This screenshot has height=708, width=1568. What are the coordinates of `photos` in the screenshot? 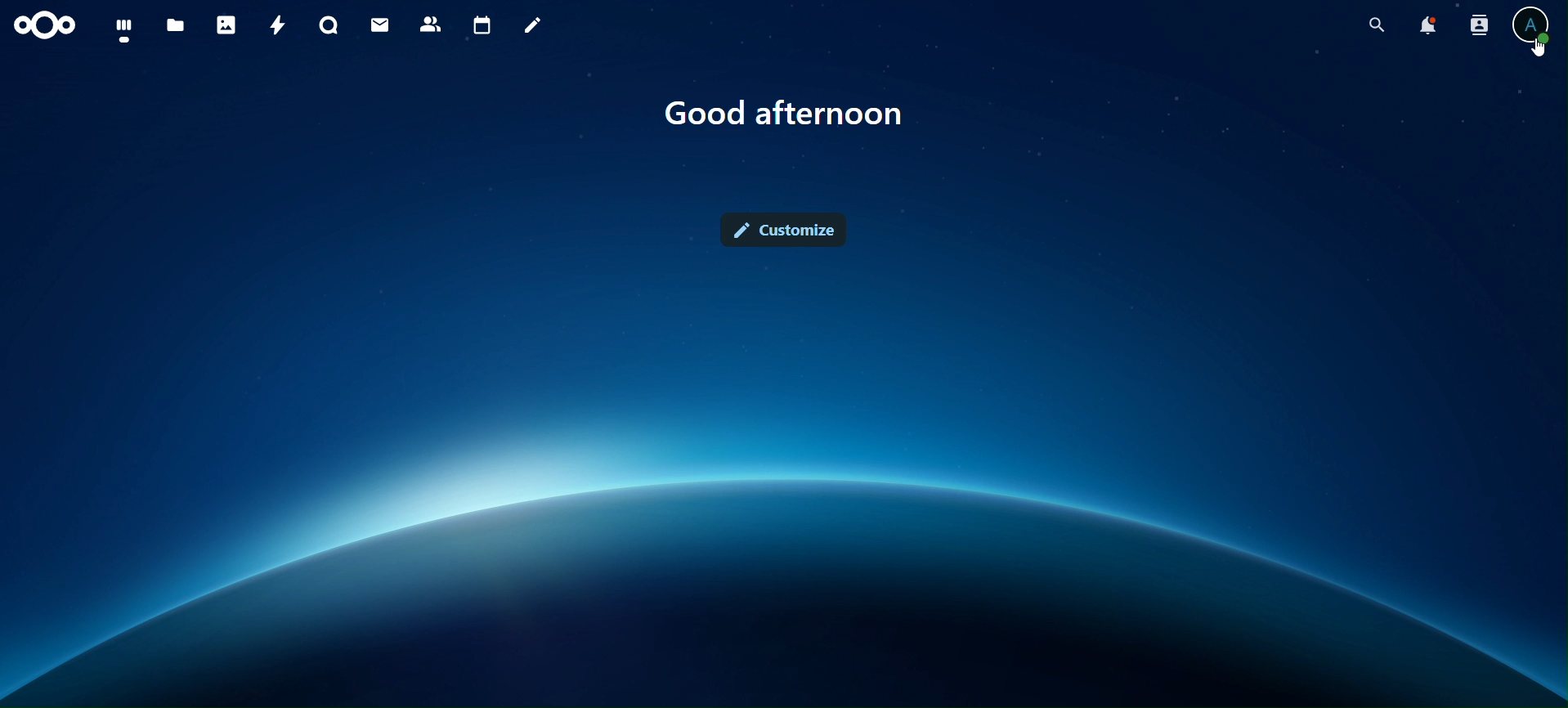 It's located at (226, 27).